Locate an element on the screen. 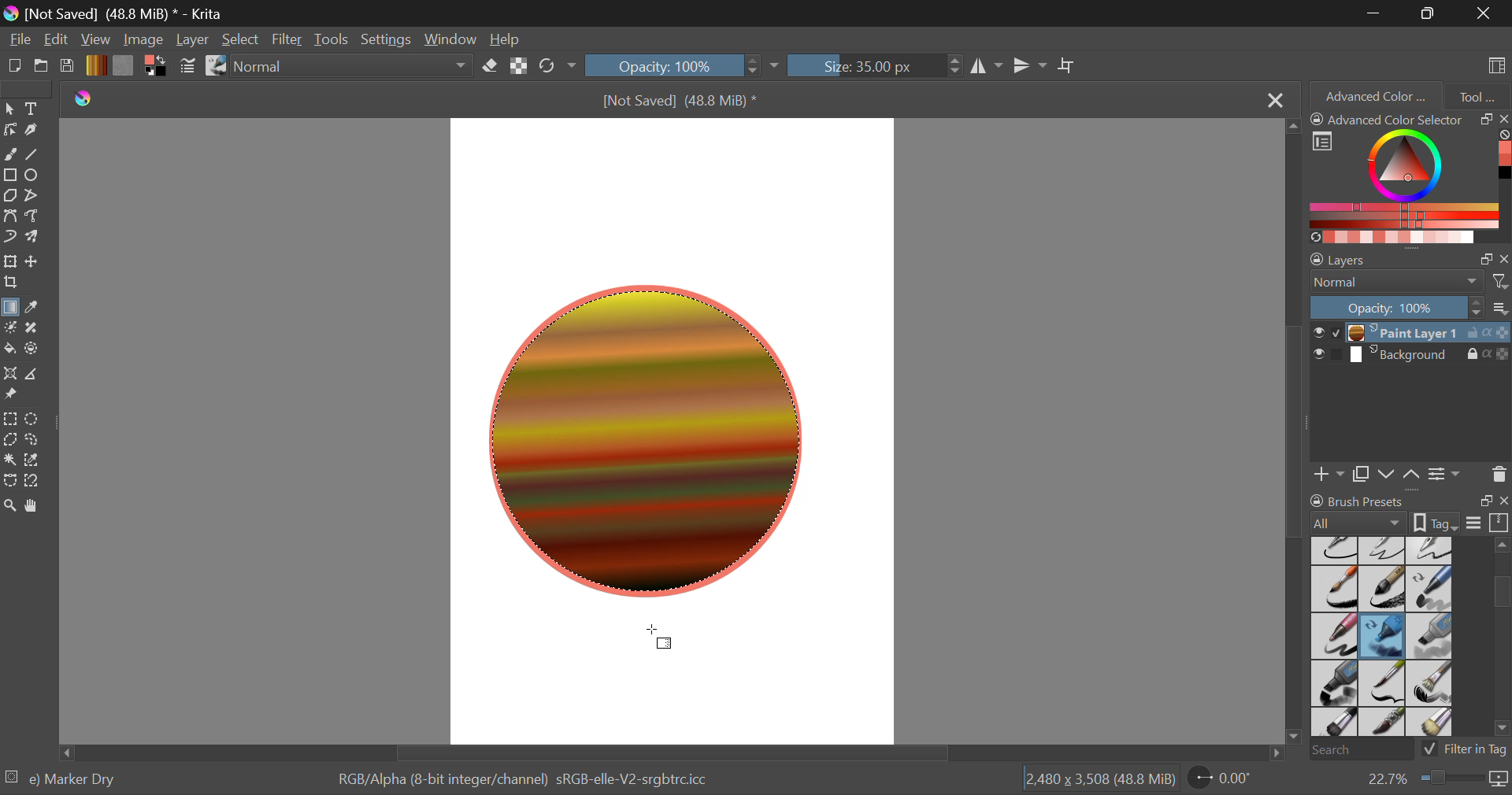 Image resolution: width=1512 pixels, height=795 pixels. Window is located at coordinates (455, 40).